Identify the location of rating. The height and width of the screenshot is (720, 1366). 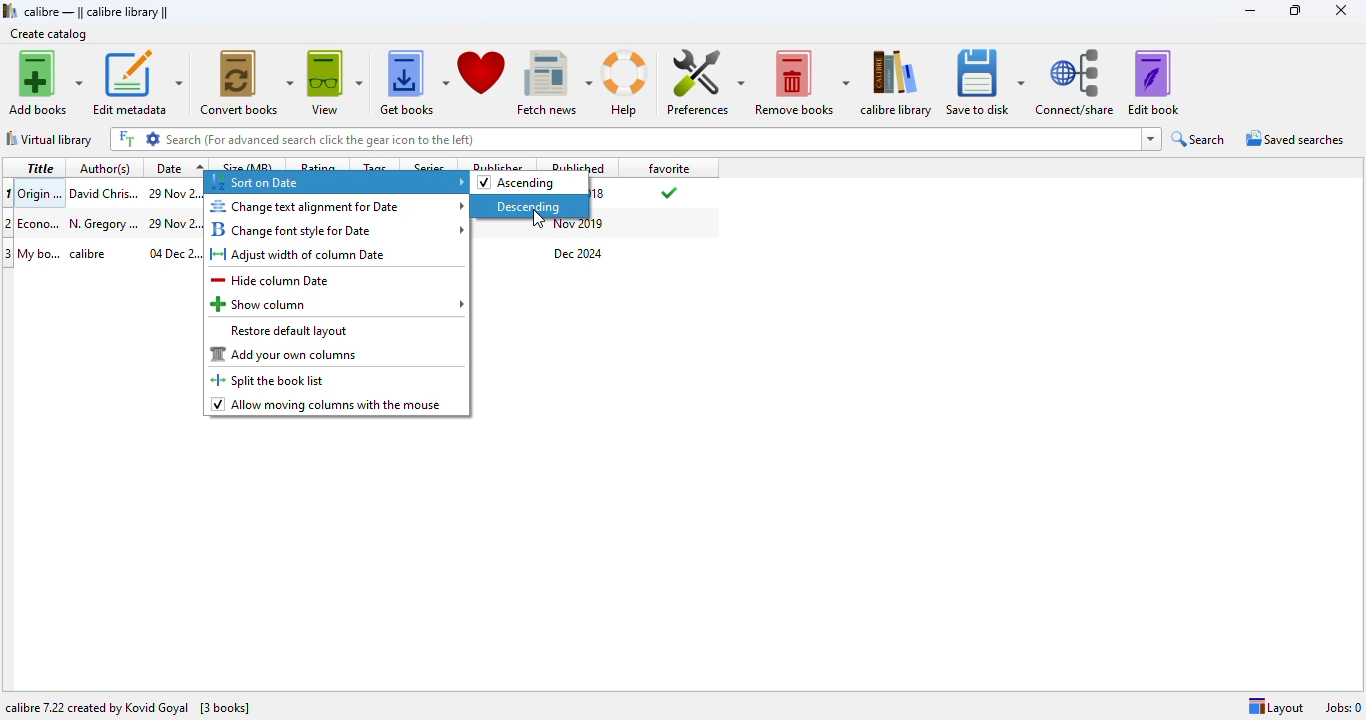
(318, 164).